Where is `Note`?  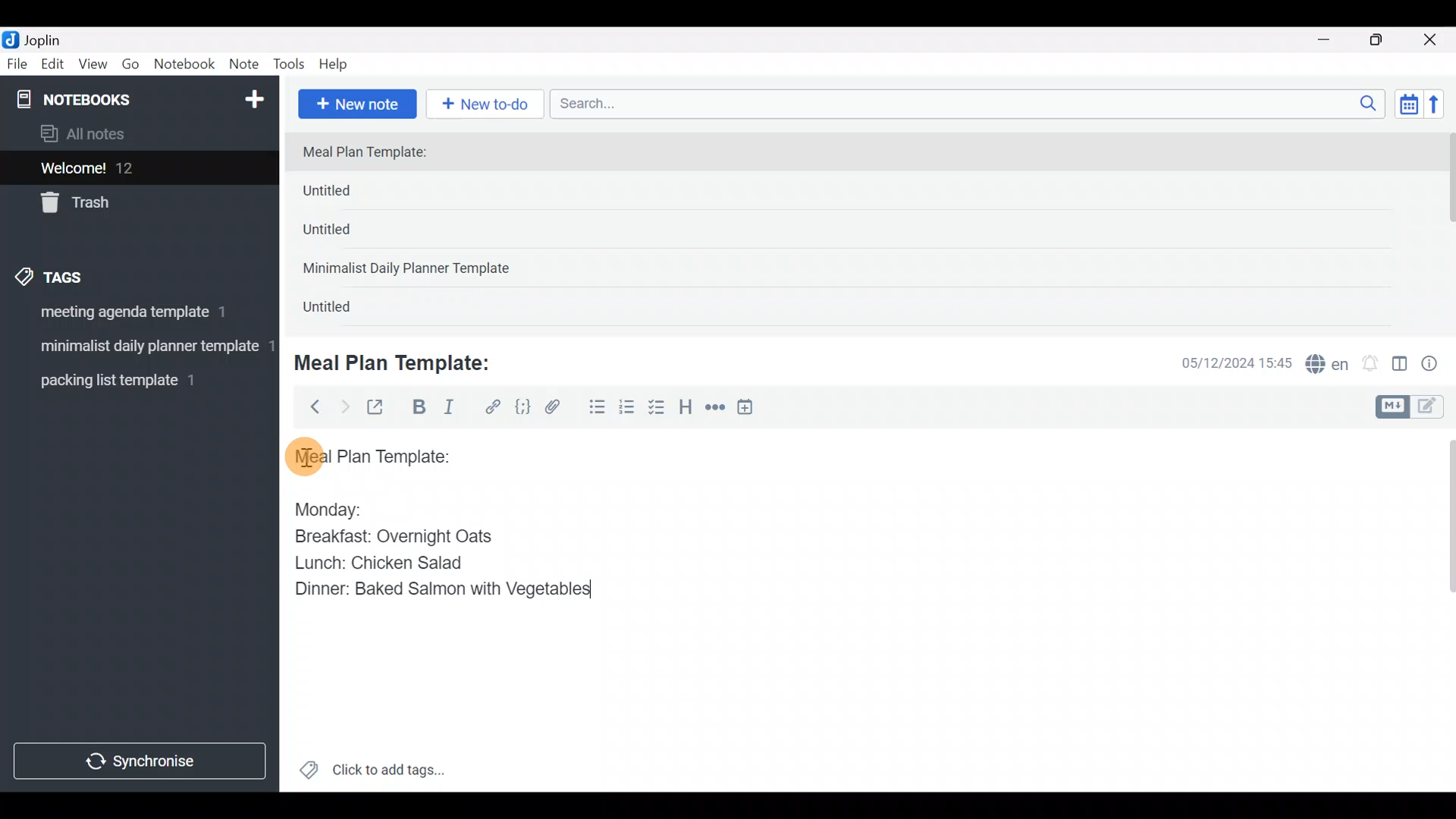 Note is located at coordinates (247, 65).